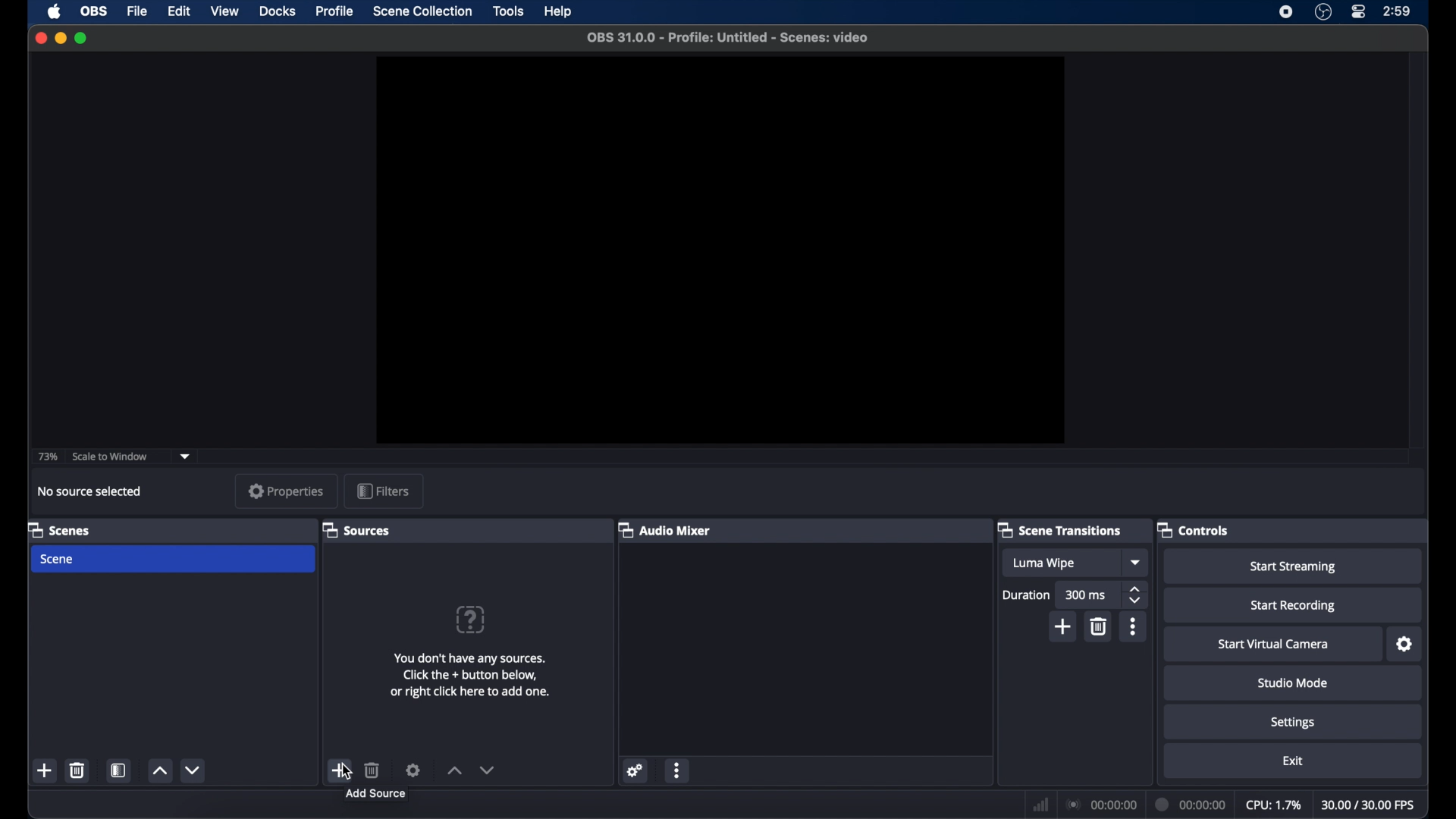 The width and height of the screenshot is (1456, 819). Describe the element at coordinates (55, 11) in the screenshot. I see `apple icon` at that location.